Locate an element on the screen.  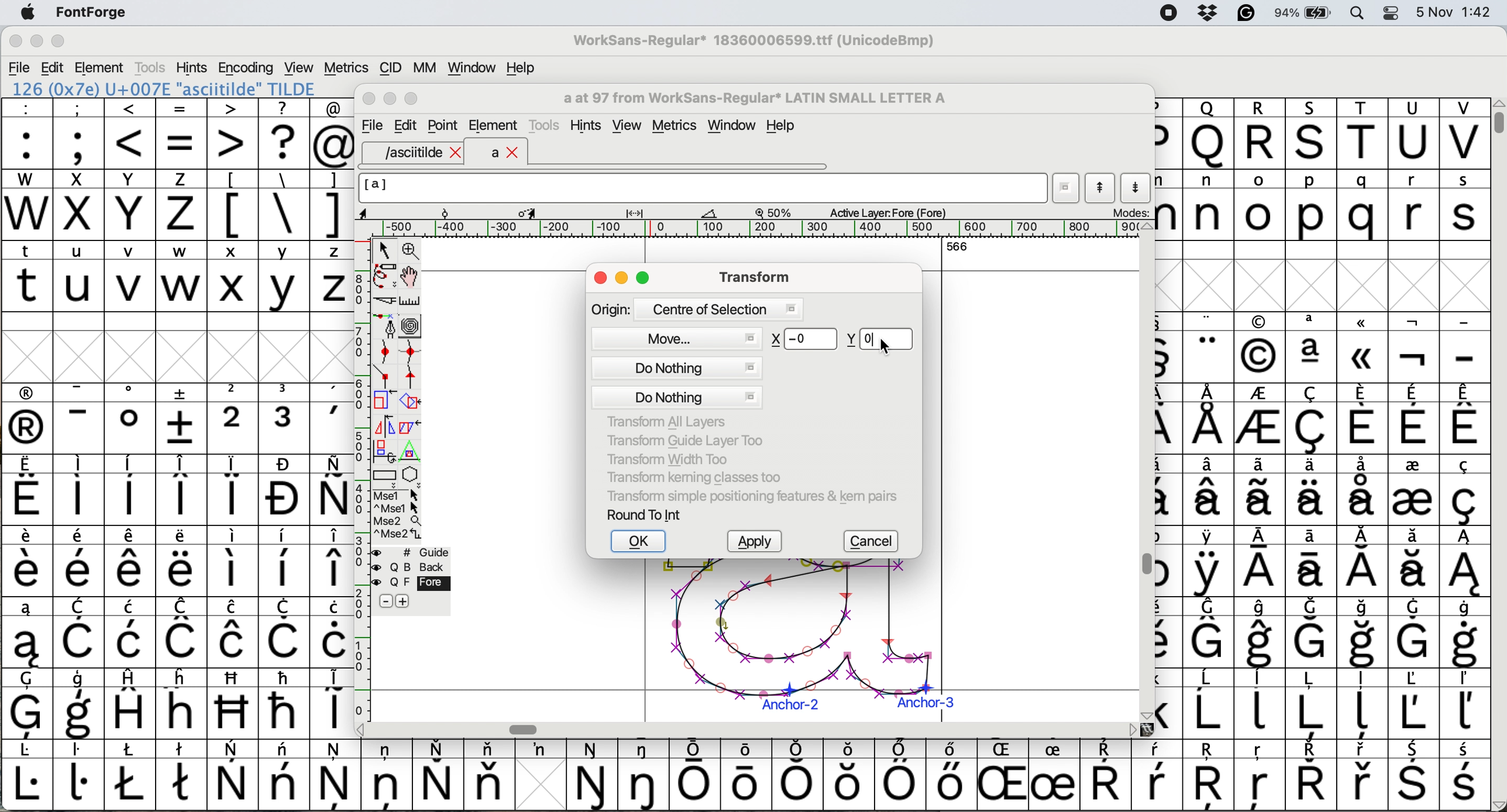
Help is located at coordinates (780, 127).